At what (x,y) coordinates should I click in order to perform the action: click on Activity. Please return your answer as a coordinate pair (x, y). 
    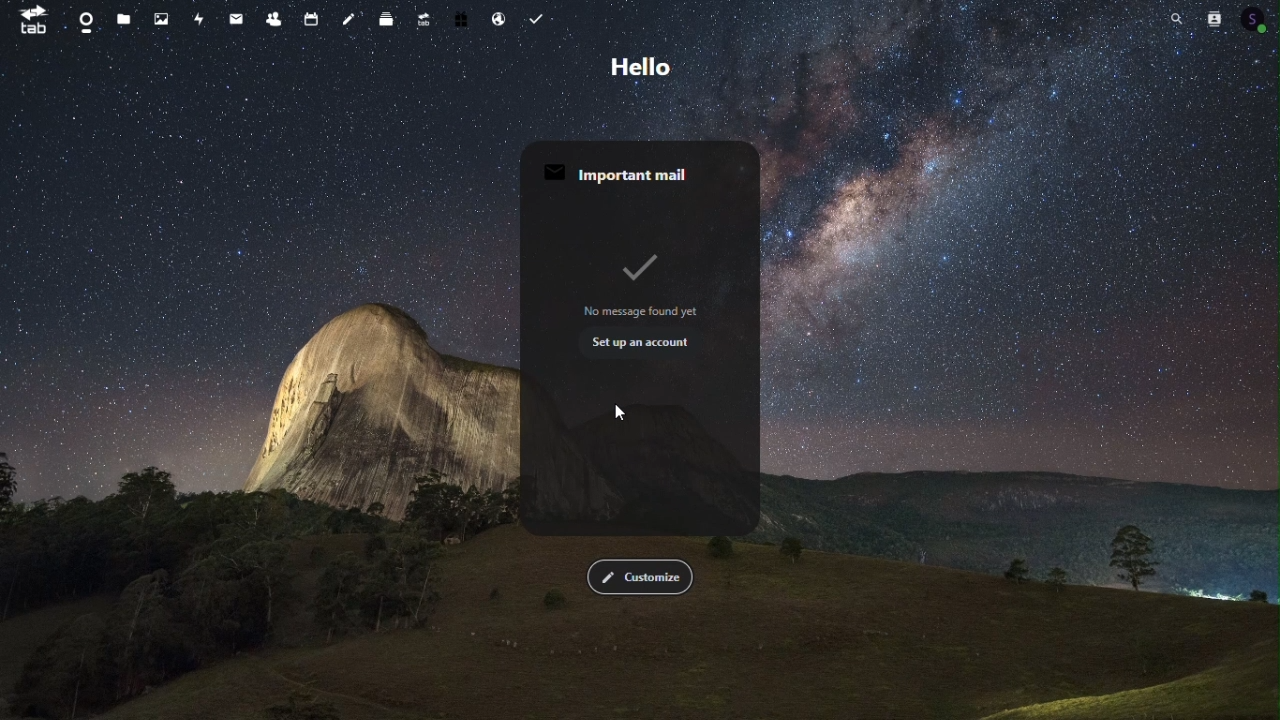
    Looking at the image, I should click on (199, 19).